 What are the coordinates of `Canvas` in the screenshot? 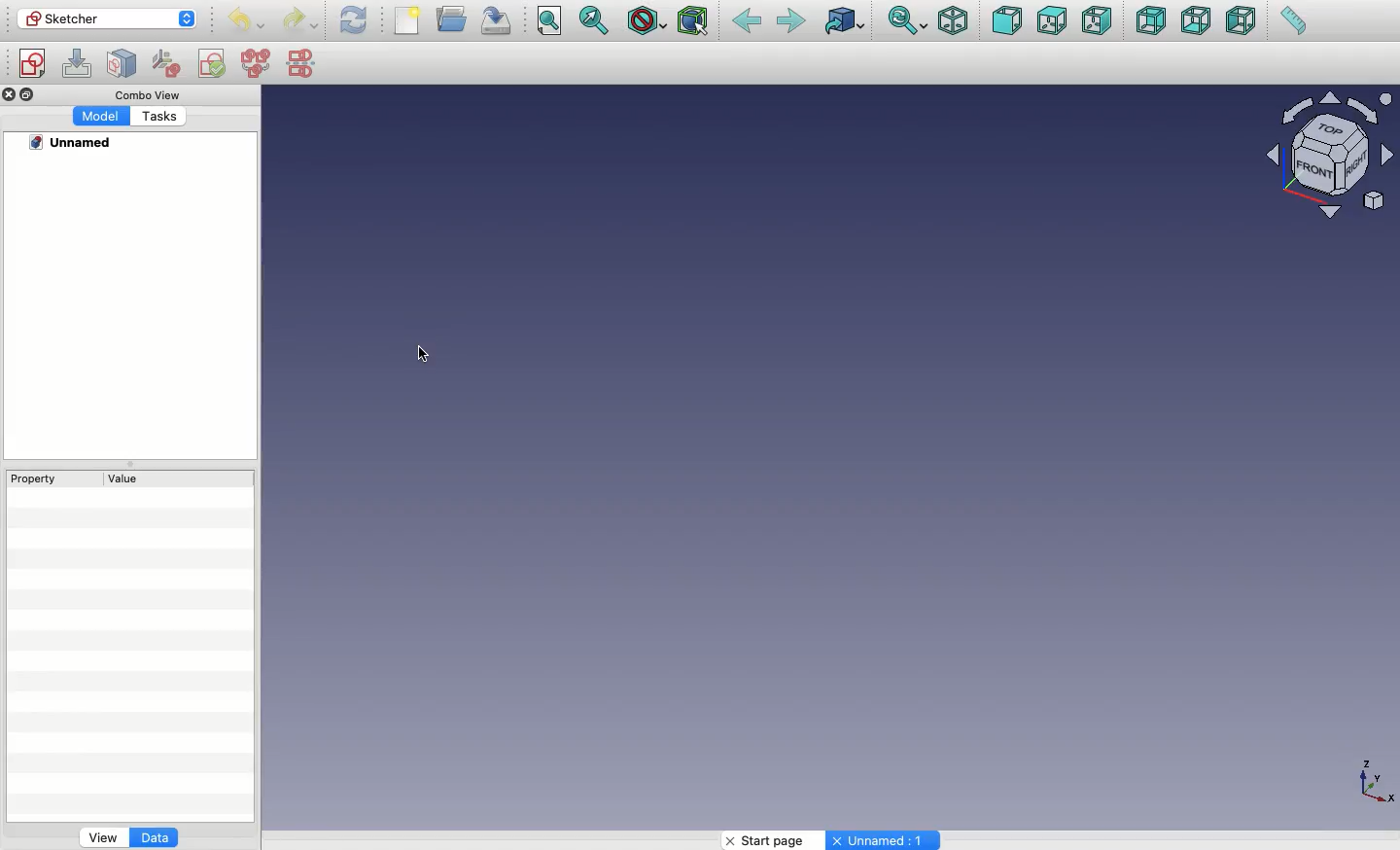 It's located at (720, 457).